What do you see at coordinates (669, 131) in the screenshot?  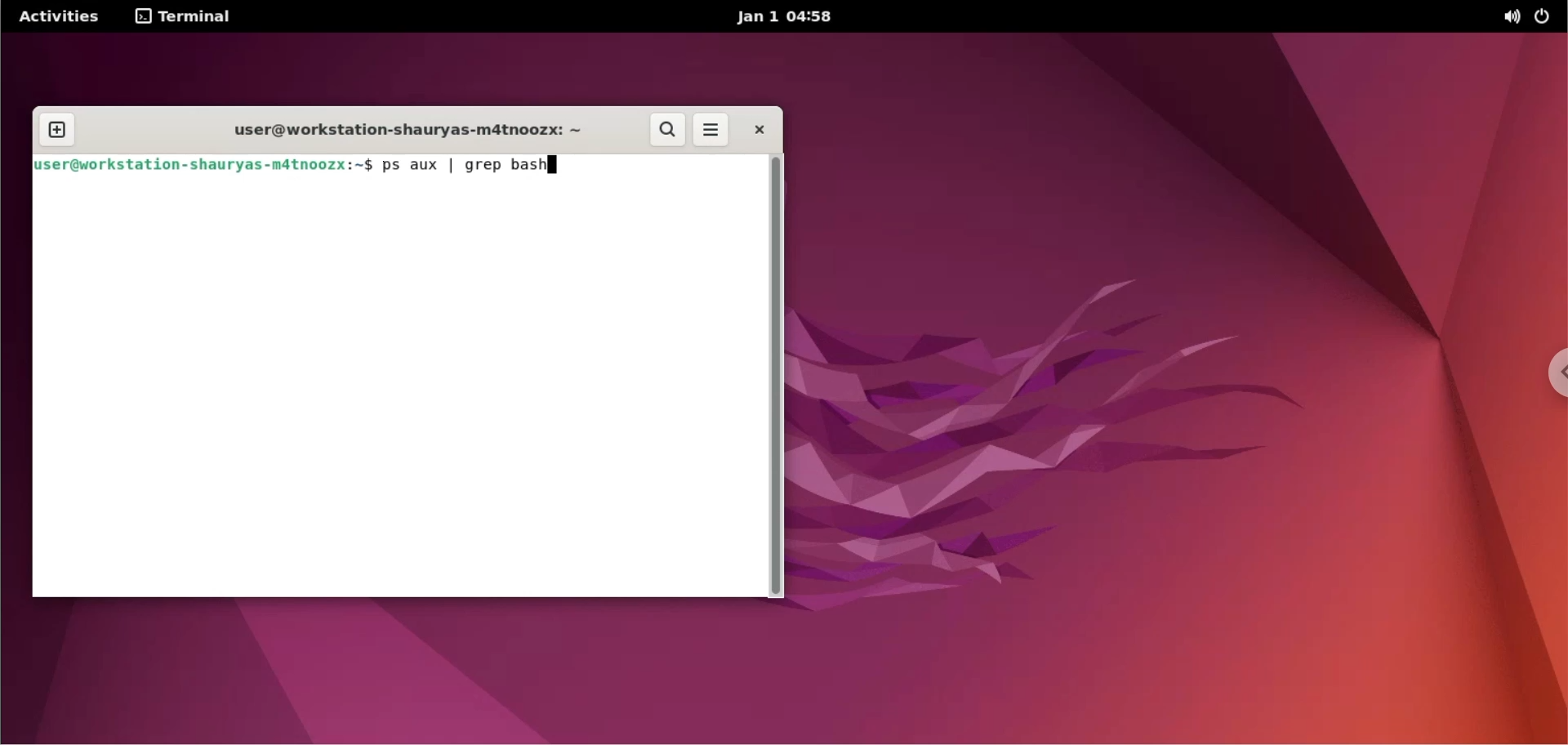 I see `search` at bounding box center [669, 131].